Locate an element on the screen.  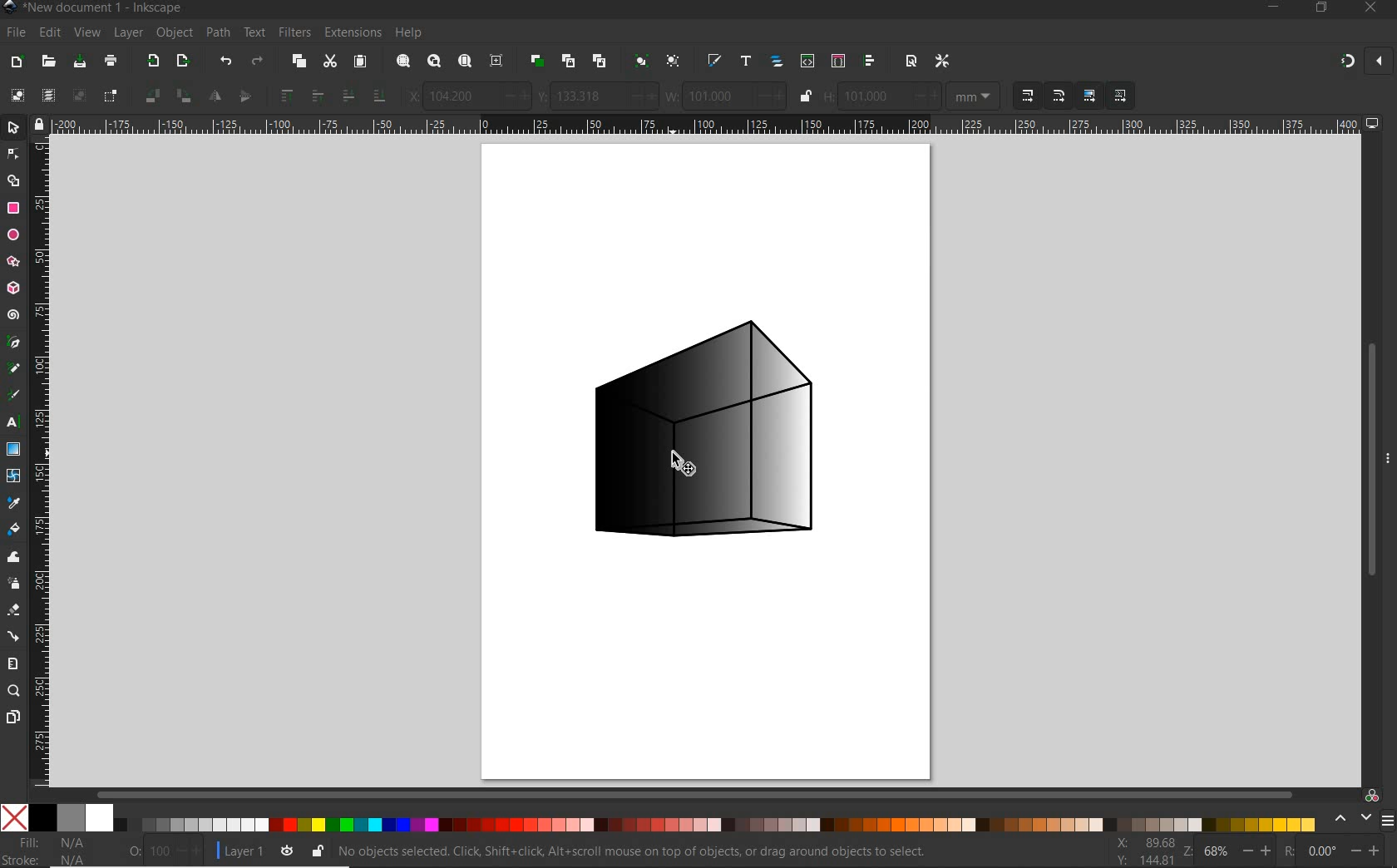
FILTERS is located at coordinates (294, 33).